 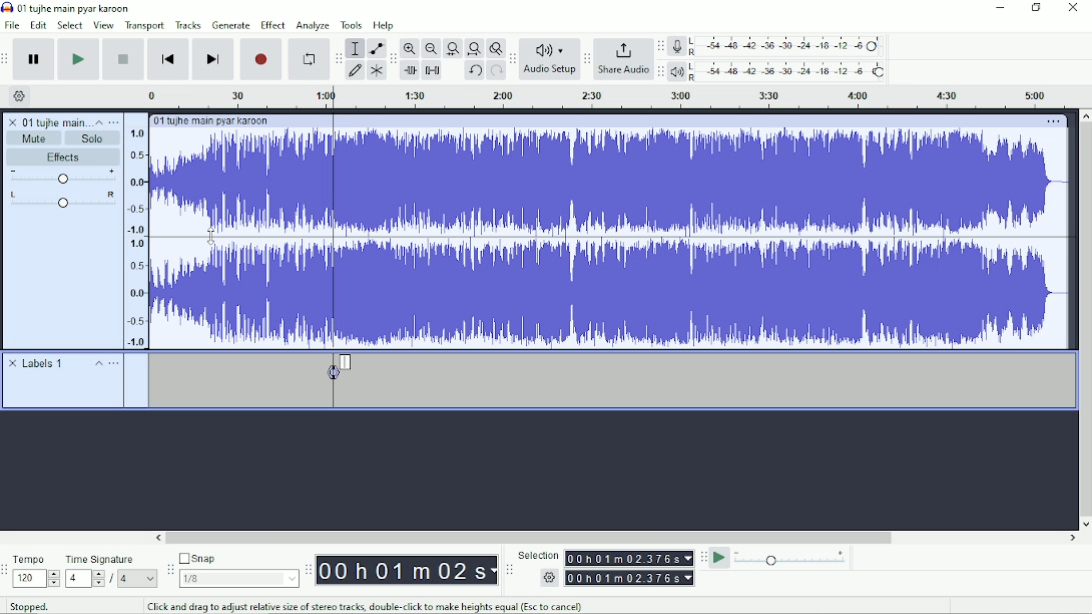 I want to click on Selection, so click(x=606, y=568).